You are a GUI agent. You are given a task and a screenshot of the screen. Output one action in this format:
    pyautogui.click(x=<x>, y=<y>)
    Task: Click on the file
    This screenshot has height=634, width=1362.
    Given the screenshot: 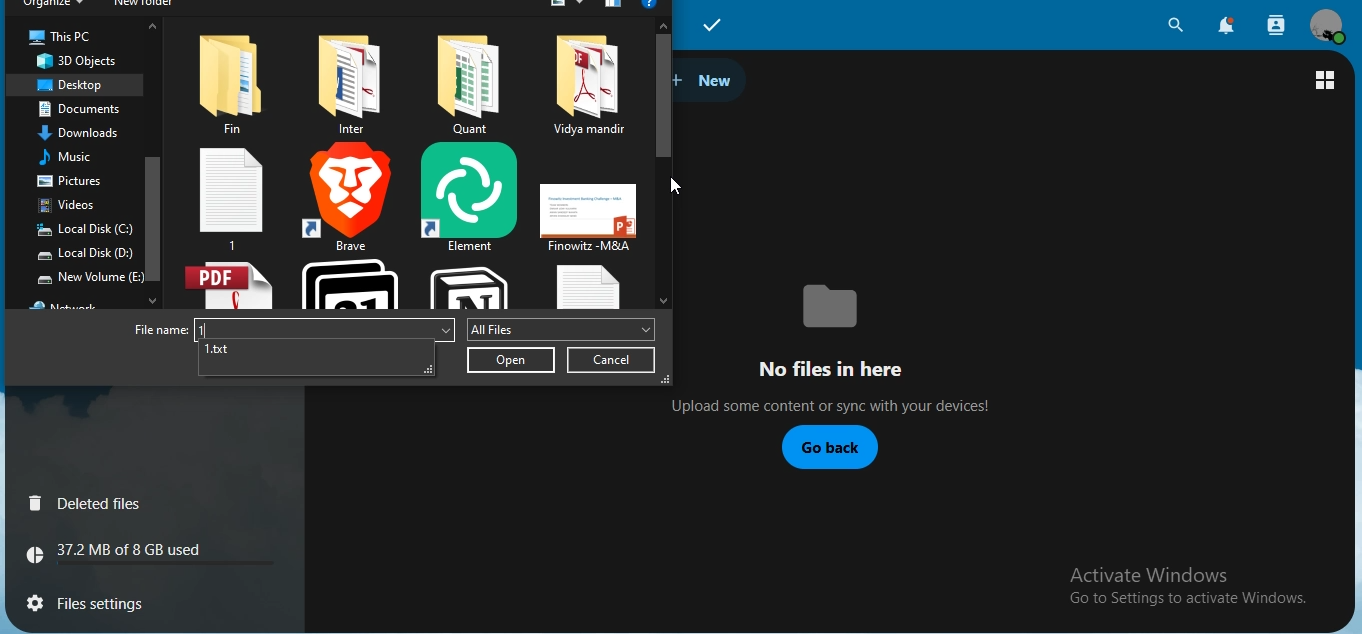 What is the action you would take?
    pyautogui.click(x=464, y=86)
    